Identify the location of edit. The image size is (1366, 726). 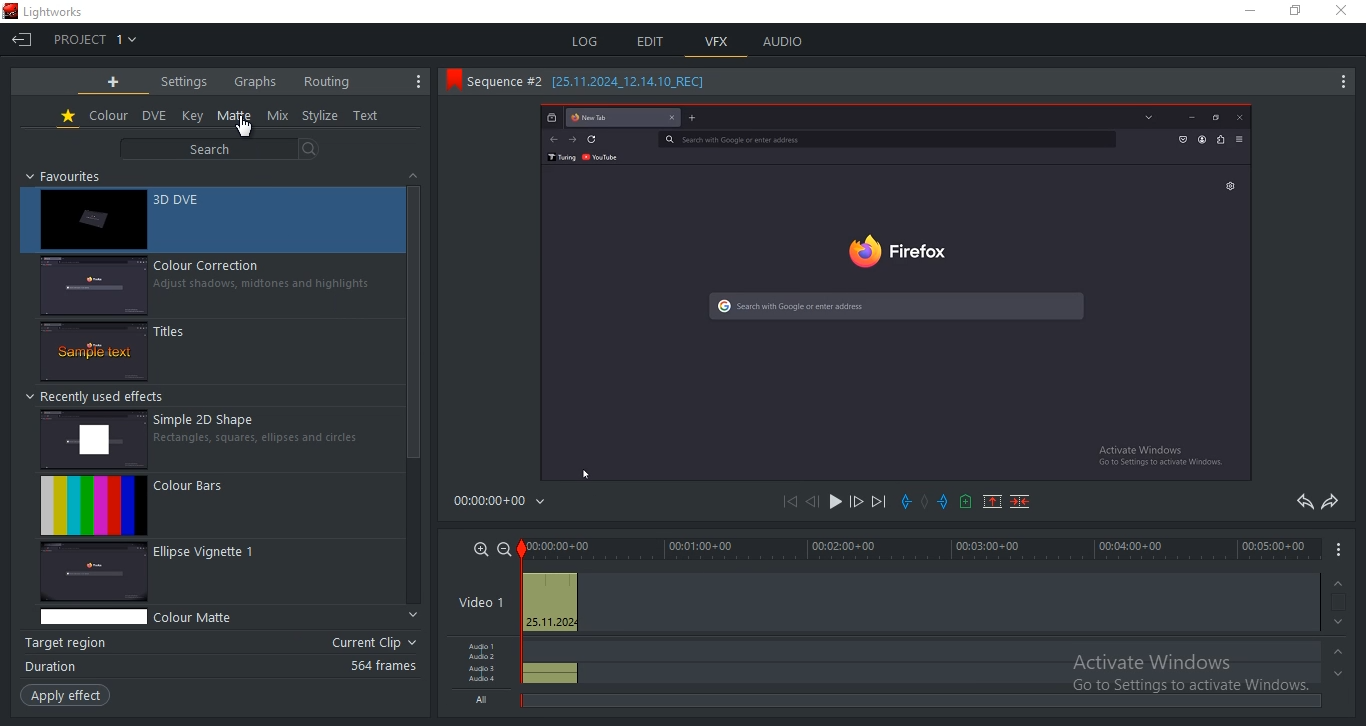
(652, 41).